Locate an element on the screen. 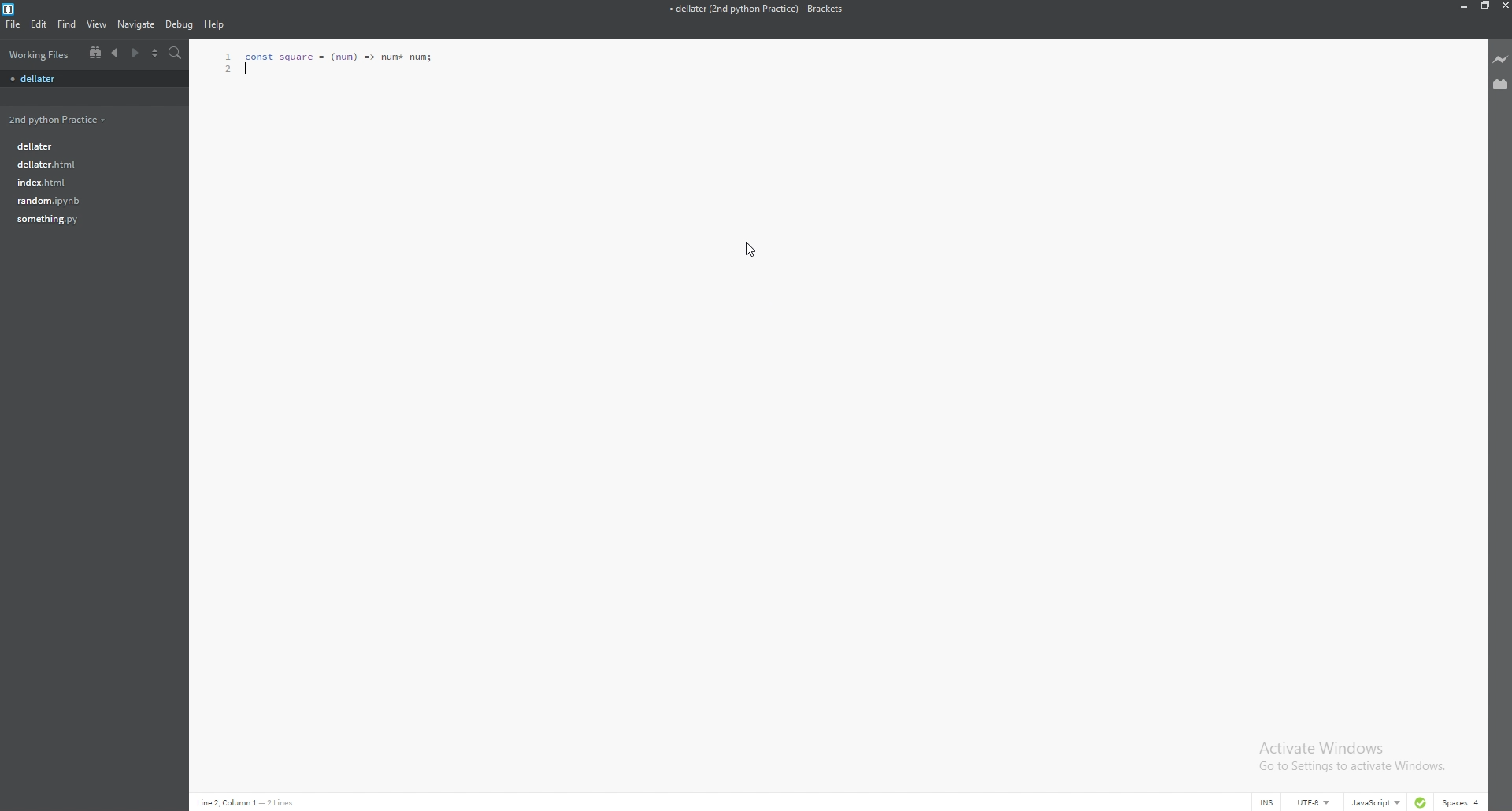 The image size is (1512, 811). split is located at coordinates (156, 54).